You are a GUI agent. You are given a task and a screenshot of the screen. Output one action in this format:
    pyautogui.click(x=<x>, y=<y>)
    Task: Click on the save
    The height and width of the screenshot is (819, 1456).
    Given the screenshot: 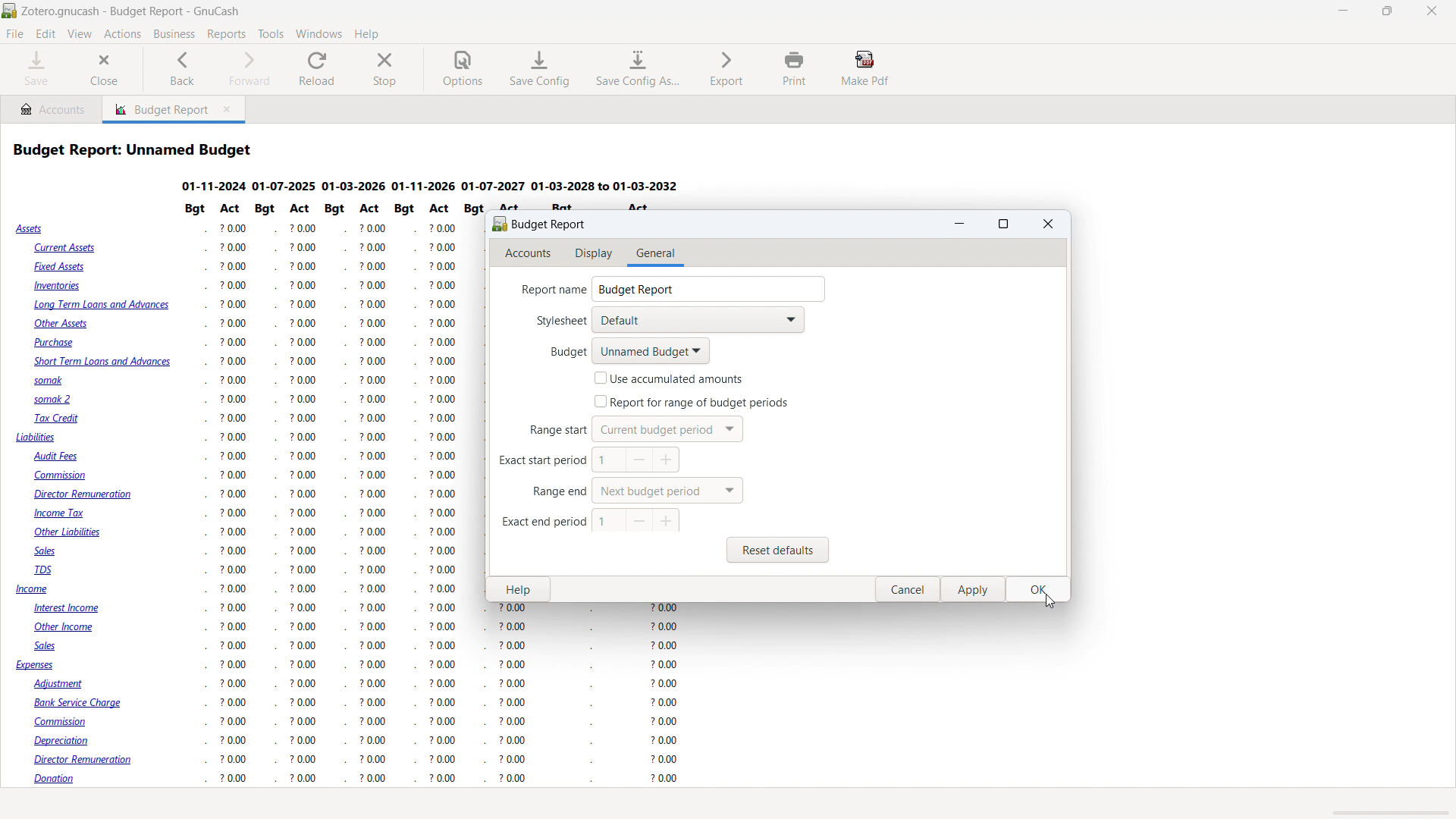 What is the action you would take?
    pyautogui.click(x=36, y=69)
    